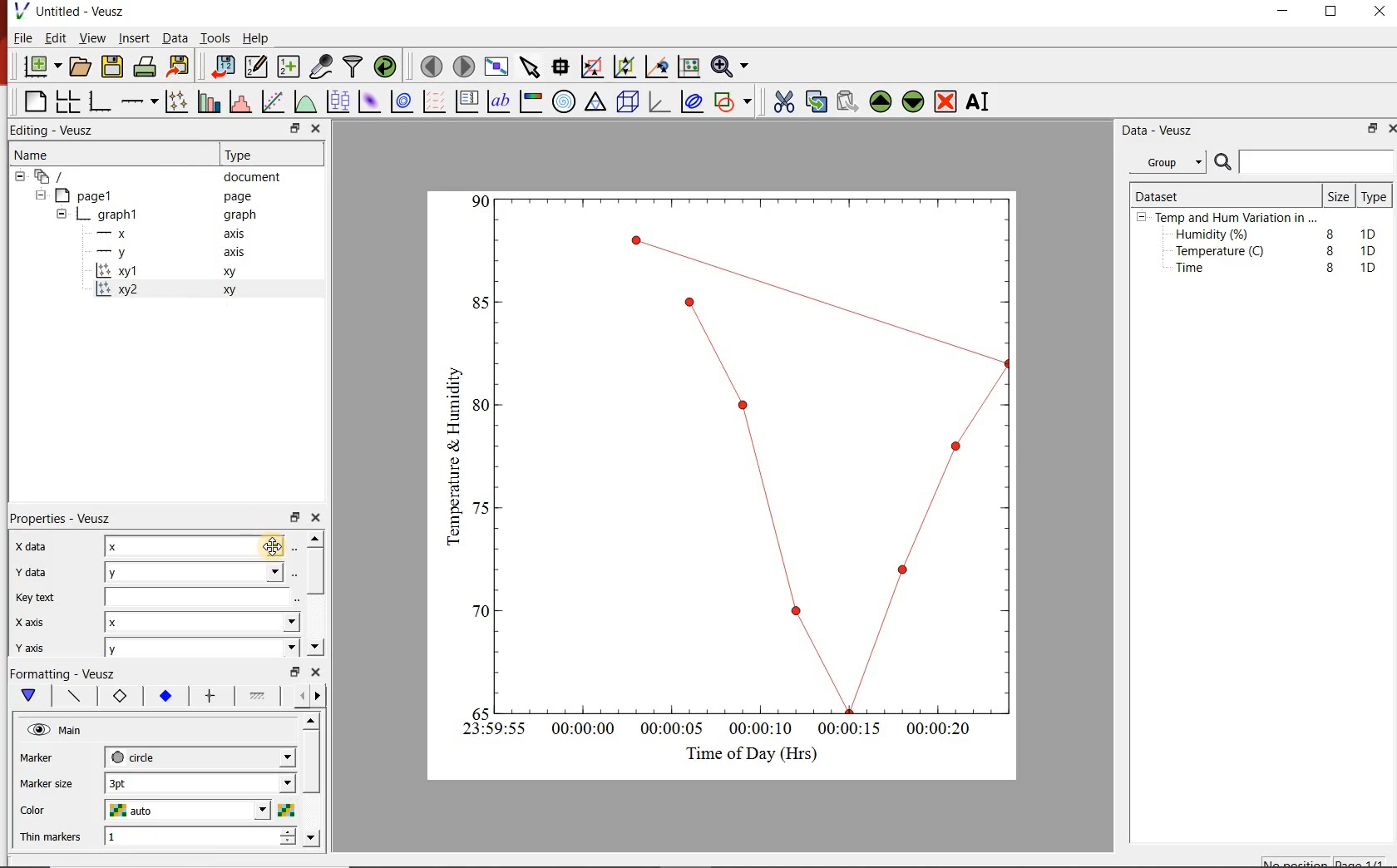  I want to click on 8, so click(1327, 249).